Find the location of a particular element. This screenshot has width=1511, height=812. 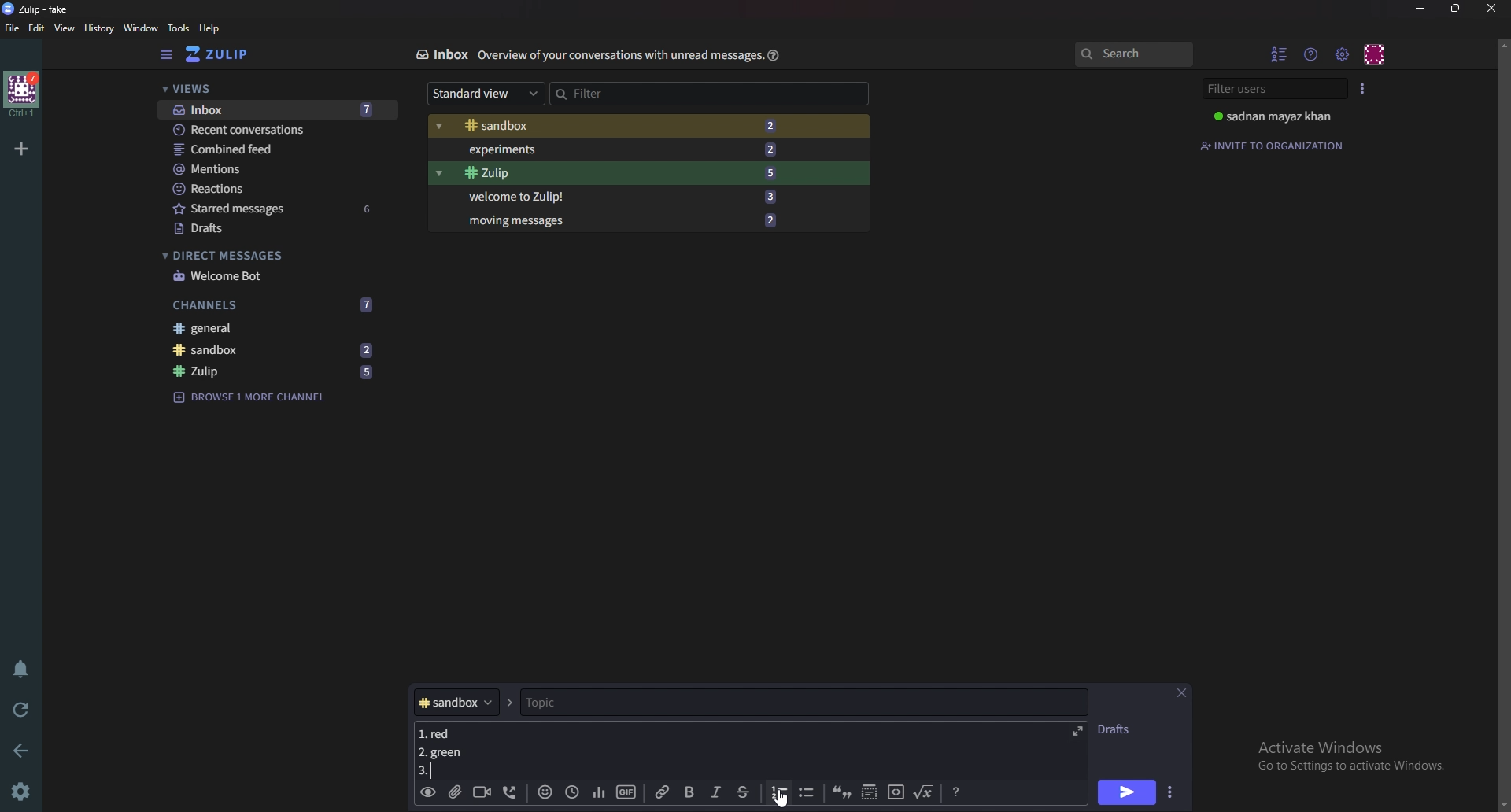

gif is located at coordinates (625, 790).